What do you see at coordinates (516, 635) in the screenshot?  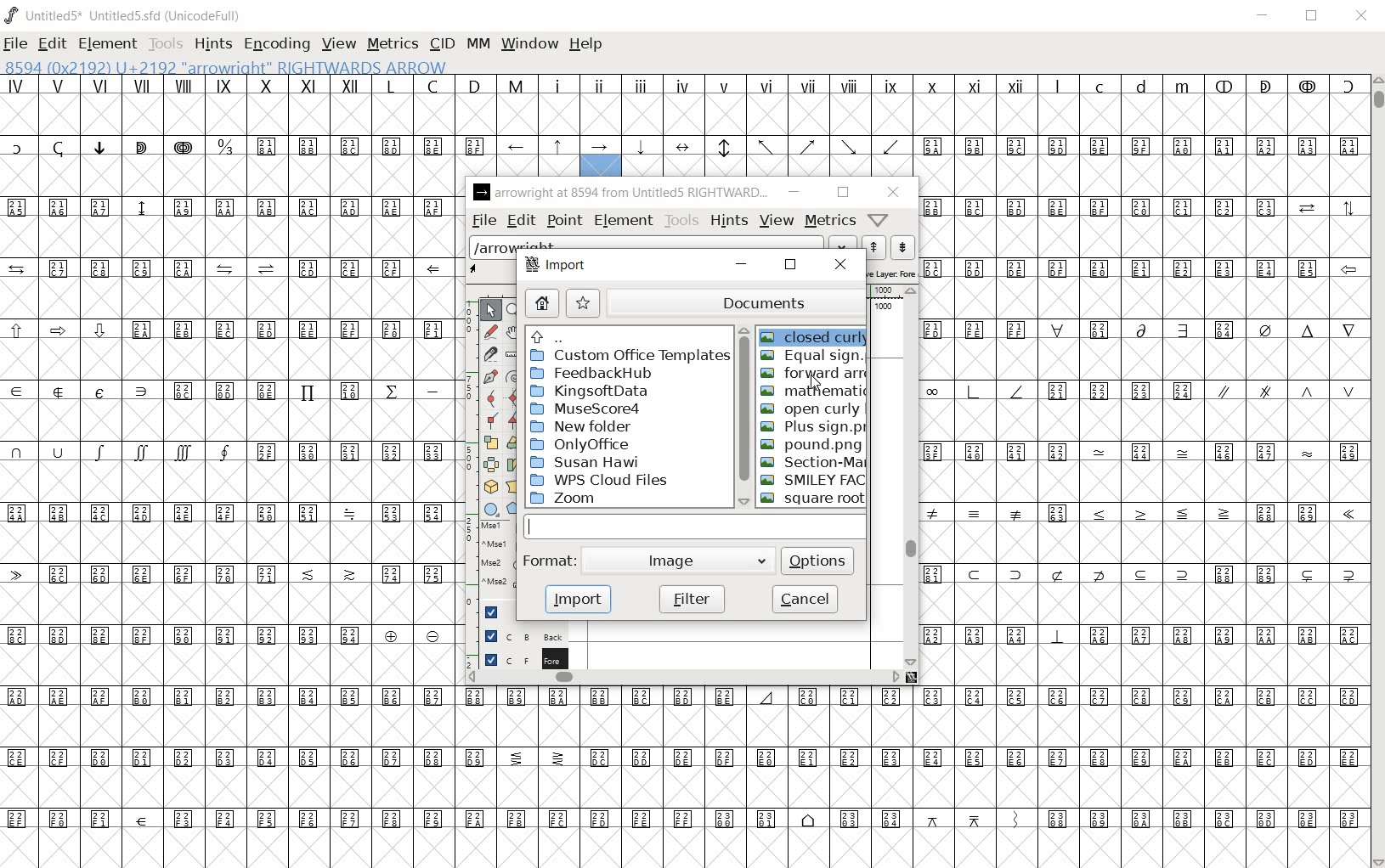 I see `background` at bounding box center [516, 635].